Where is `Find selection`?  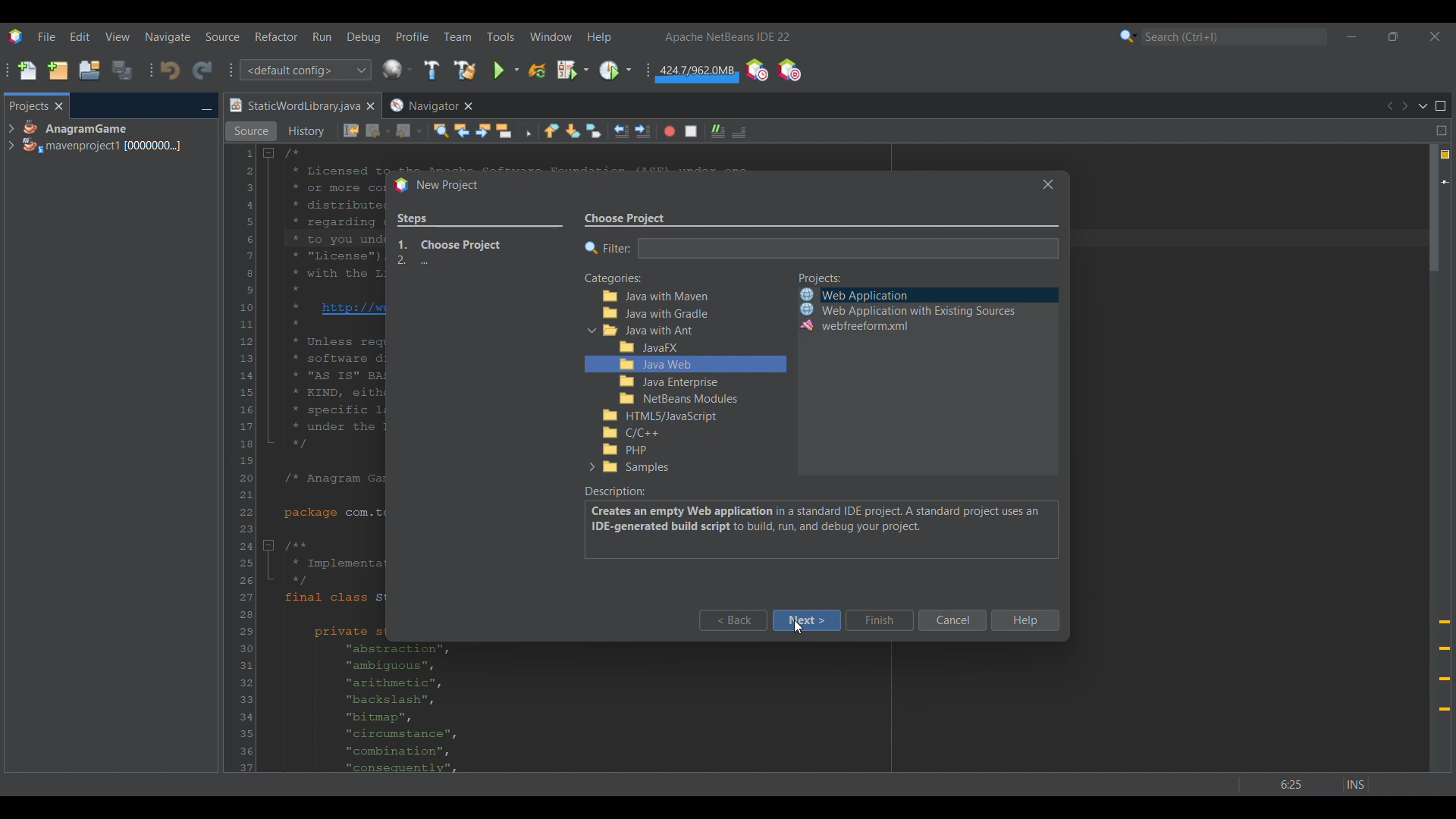 Find selection is located at coordinates (441, 130).